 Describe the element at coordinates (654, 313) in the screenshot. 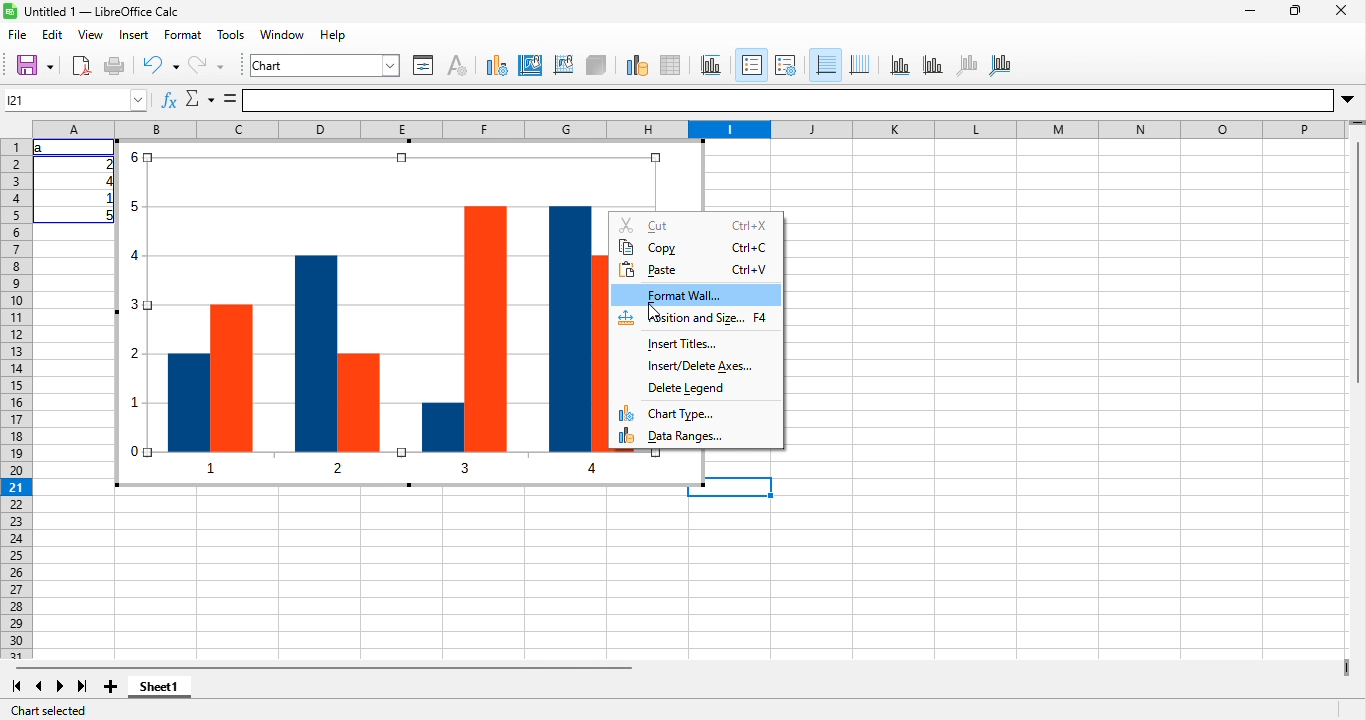

I see `cursor` at that location.